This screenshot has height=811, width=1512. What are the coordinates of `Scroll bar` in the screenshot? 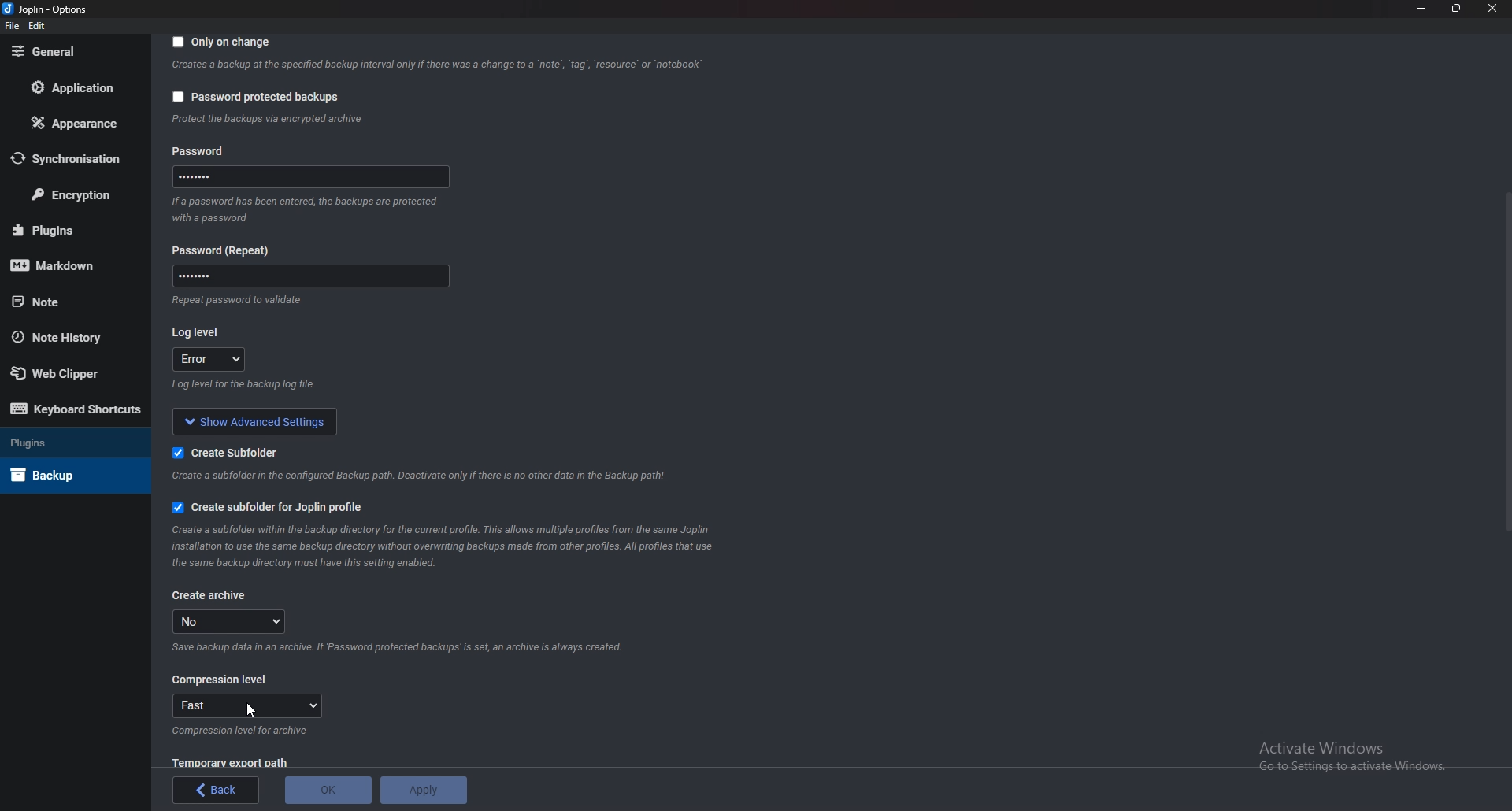 It's located at (1507, 361).